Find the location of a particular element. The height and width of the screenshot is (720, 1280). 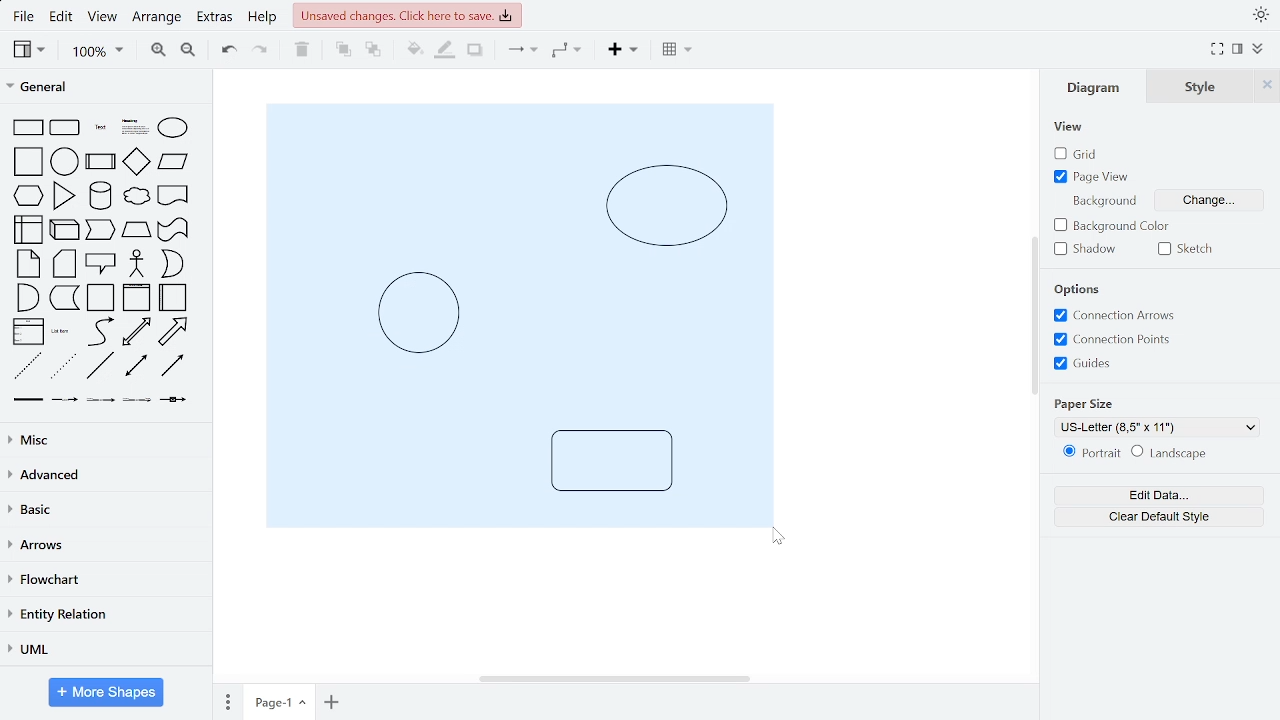

dashed line is located at coordinates (27, 366).